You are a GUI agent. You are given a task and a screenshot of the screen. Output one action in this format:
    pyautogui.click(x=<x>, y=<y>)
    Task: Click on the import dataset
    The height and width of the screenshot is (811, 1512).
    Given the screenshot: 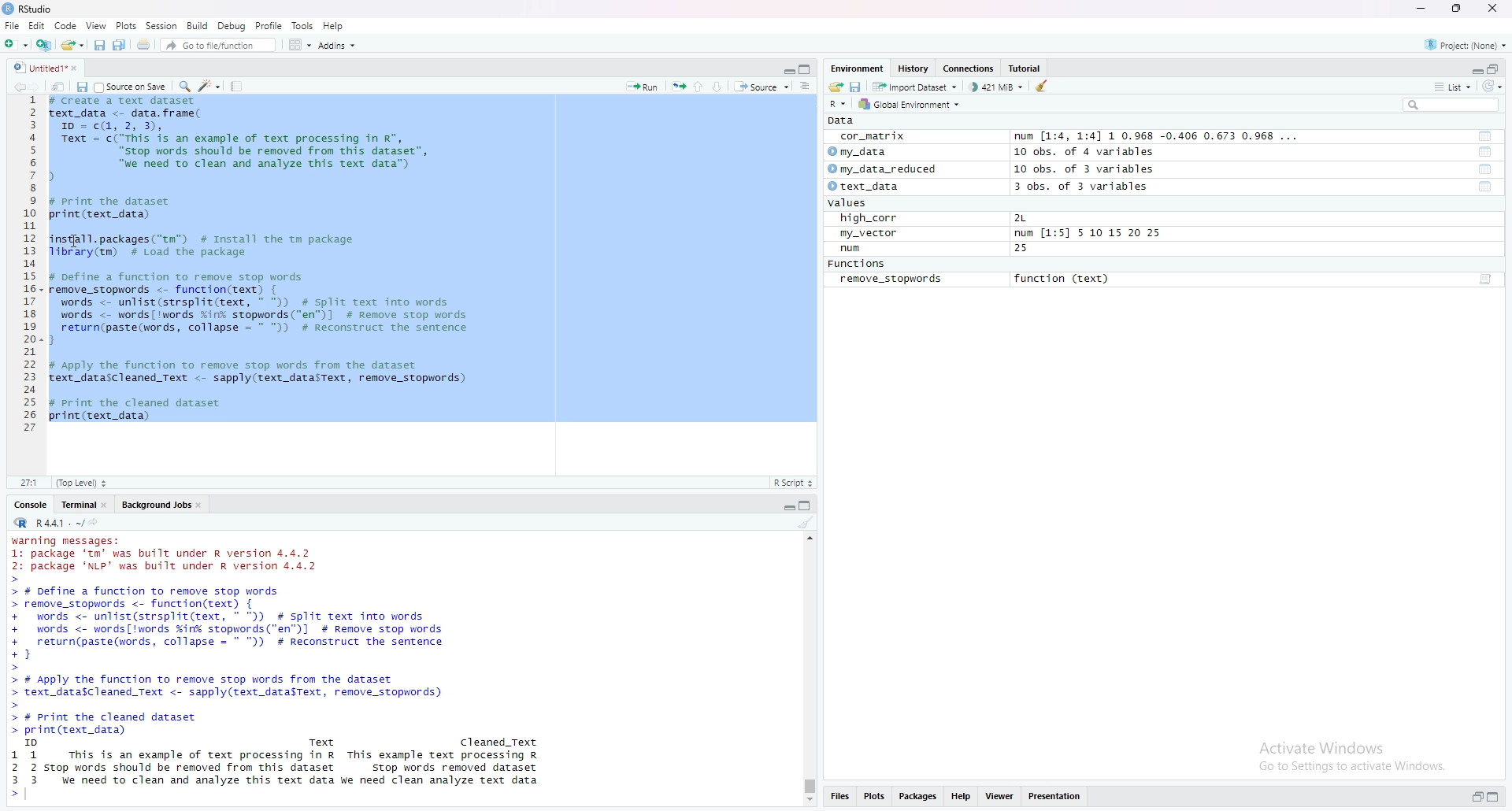 What is the action you would take?
    pyautogui.click(x=916, y=87)
    